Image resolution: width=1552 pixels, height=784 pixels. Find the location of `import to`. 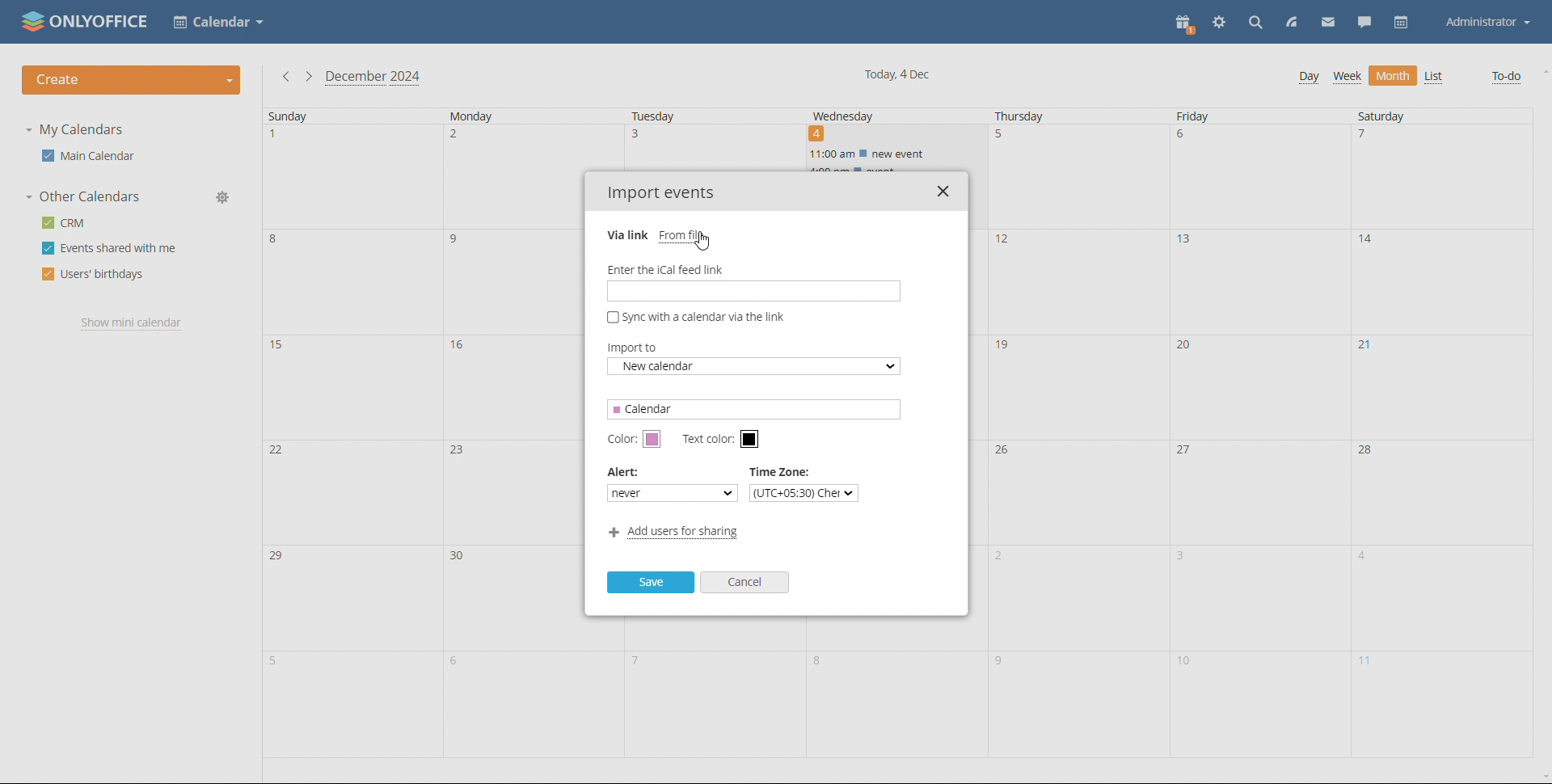

import to is located at coordinates (639, 348).